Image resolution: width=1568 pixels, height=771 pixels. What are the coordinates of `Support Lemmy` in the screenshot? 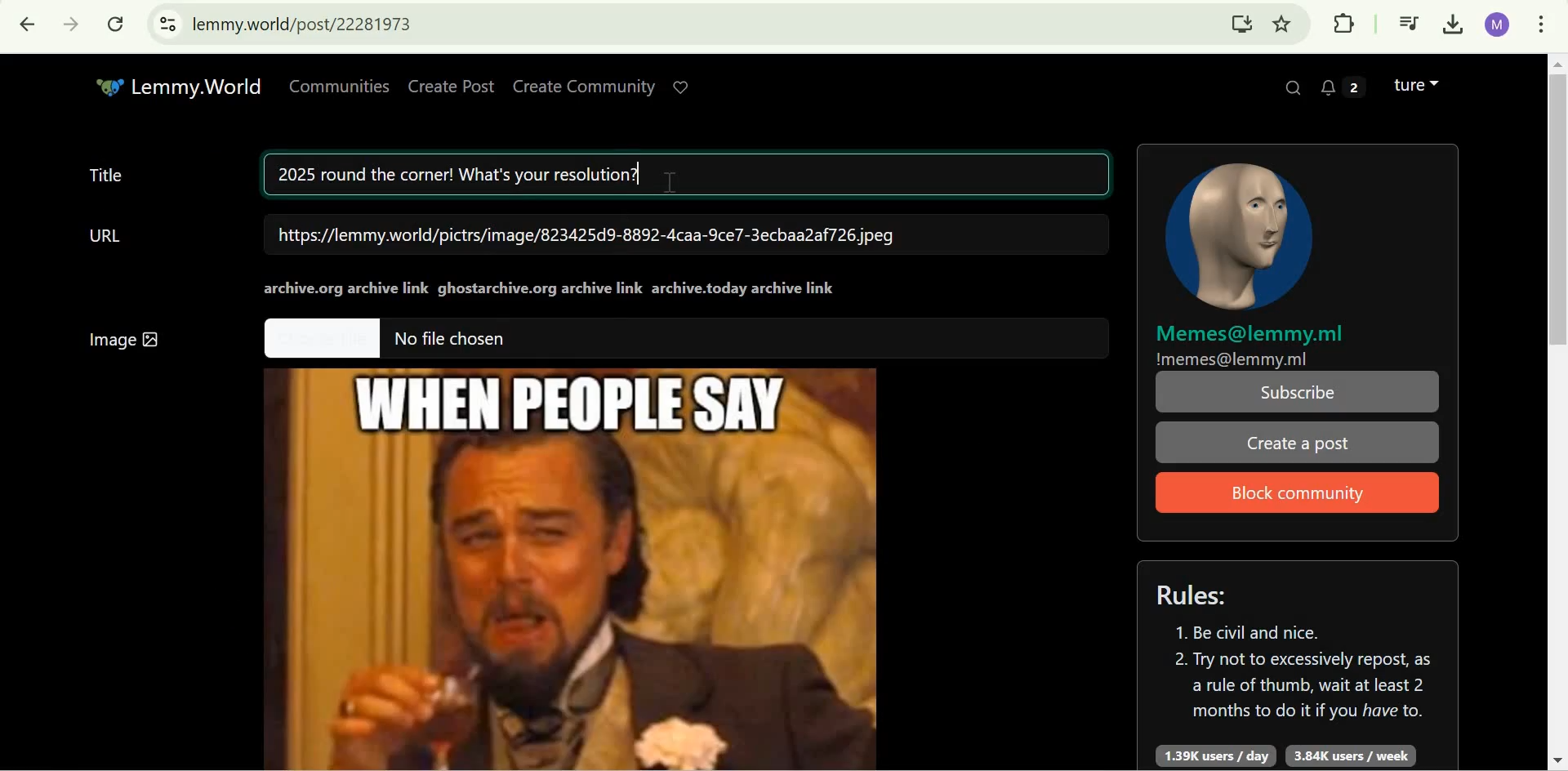 It's located at (683, 87).